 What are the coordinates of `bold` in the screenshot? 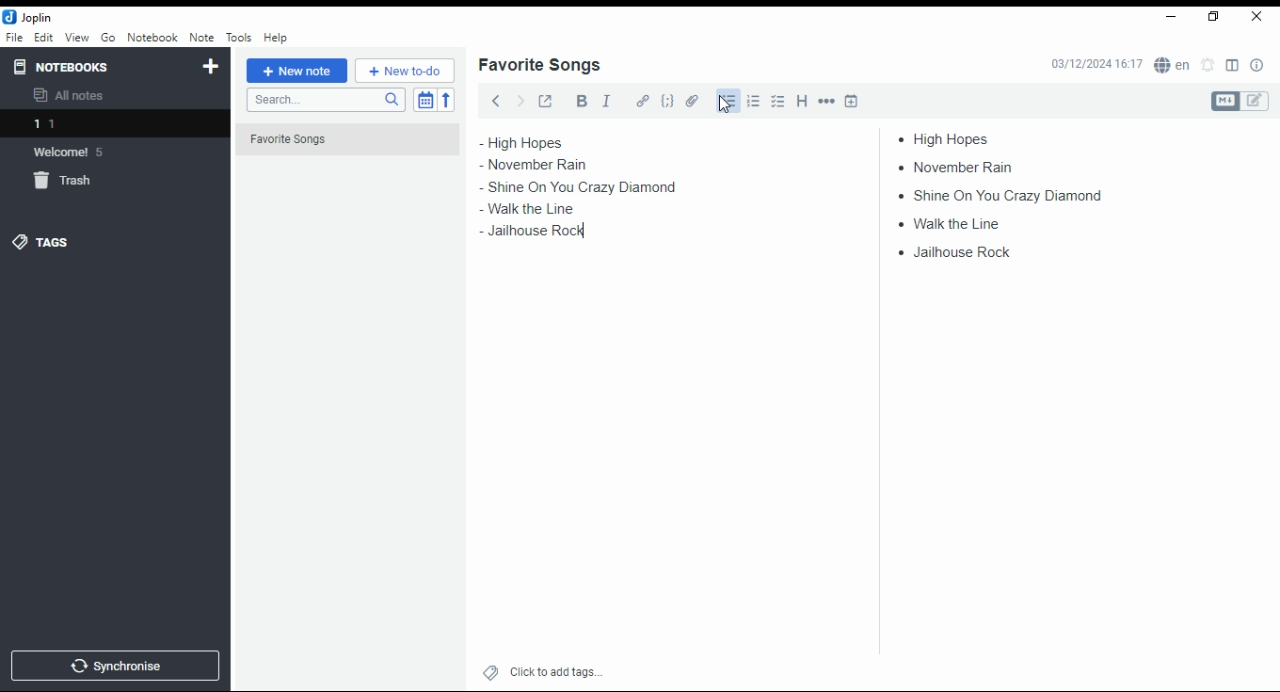 It's located at (581, 101).